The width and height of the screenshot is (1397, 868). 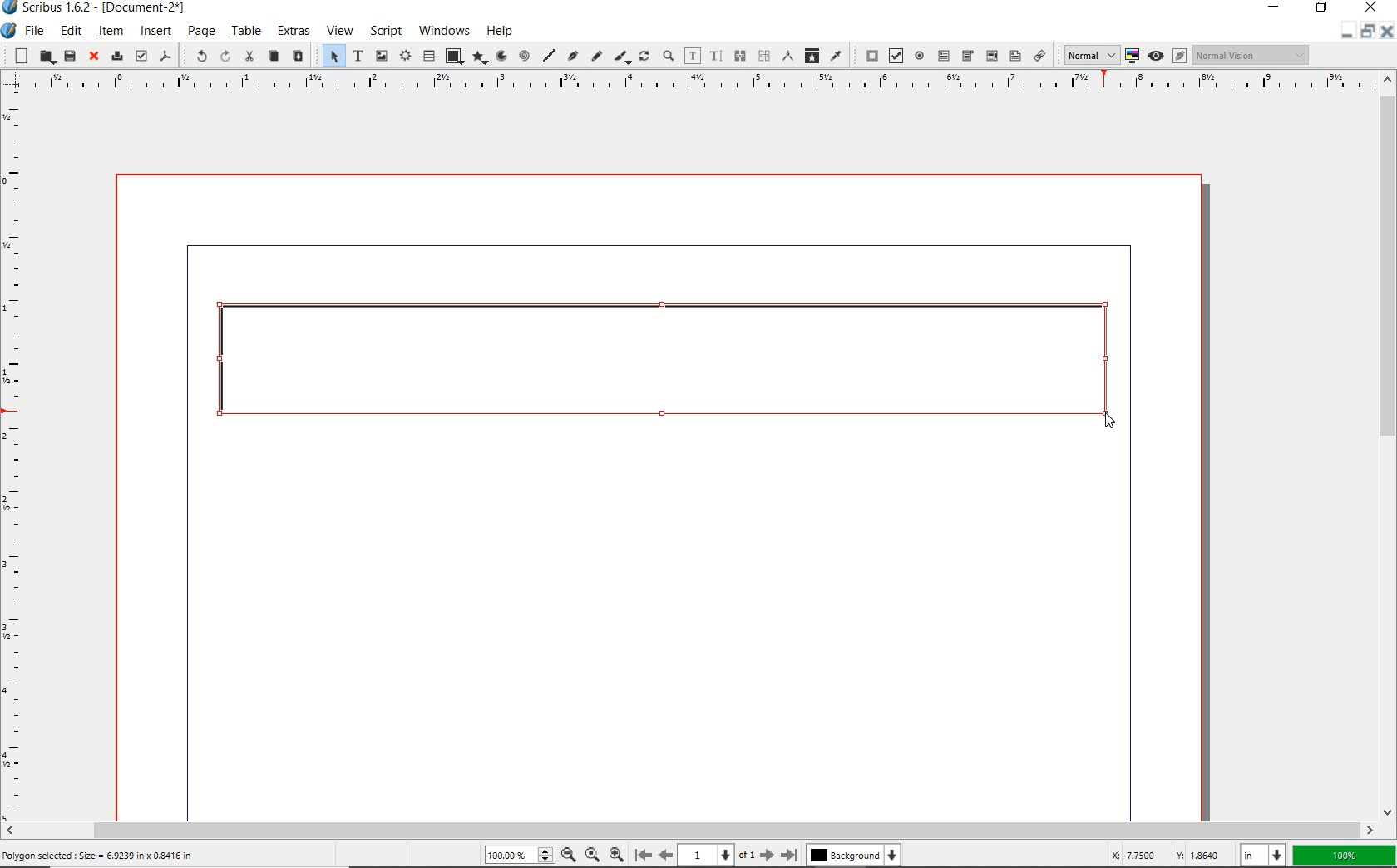 What do you see at coordinates (574, 57) in the screenshot?
I see `Bezier curve` at bounding box center [574, 57].